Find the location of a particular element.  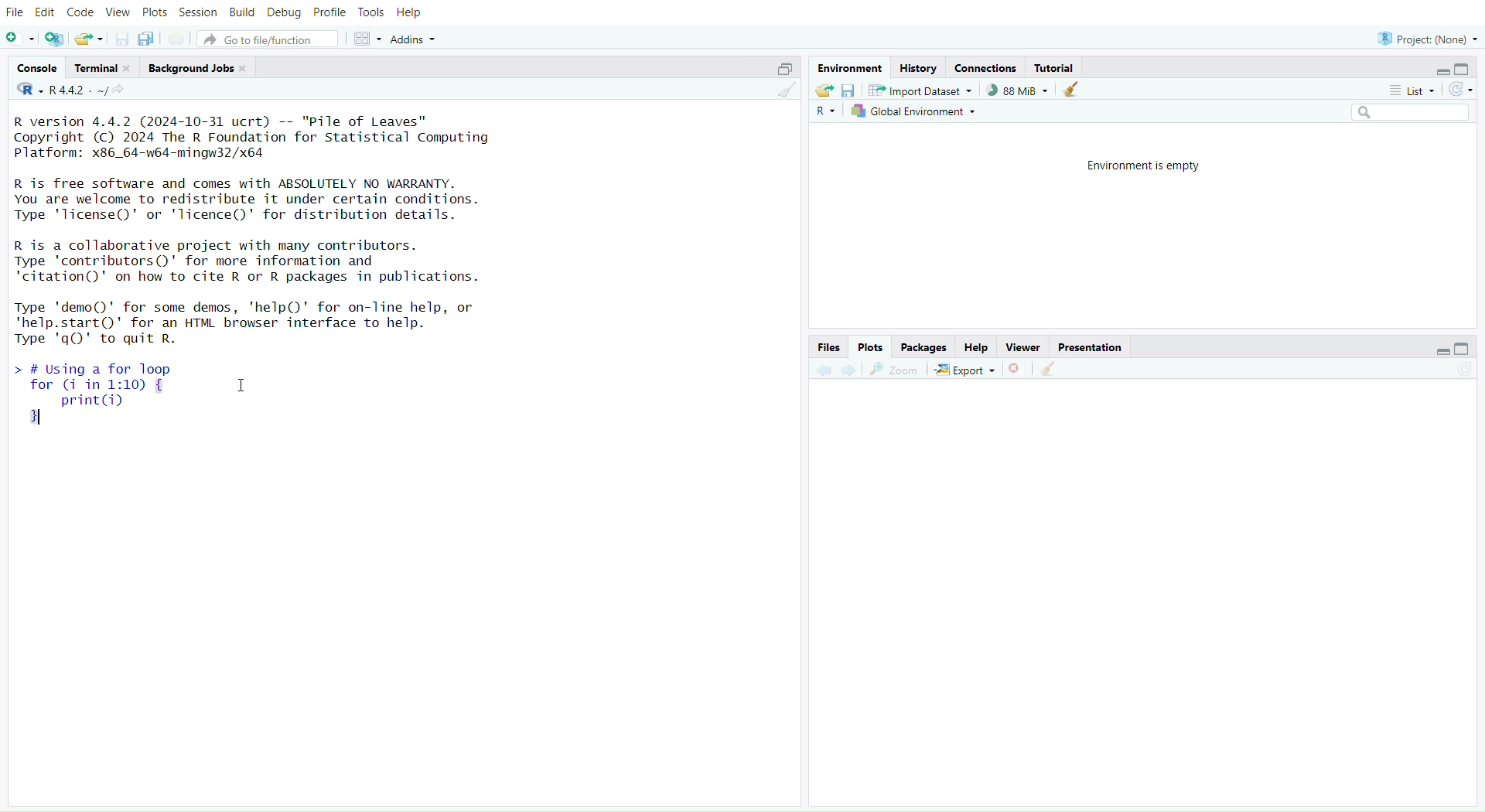

environment is empty is located at coordinates (1139, 168).